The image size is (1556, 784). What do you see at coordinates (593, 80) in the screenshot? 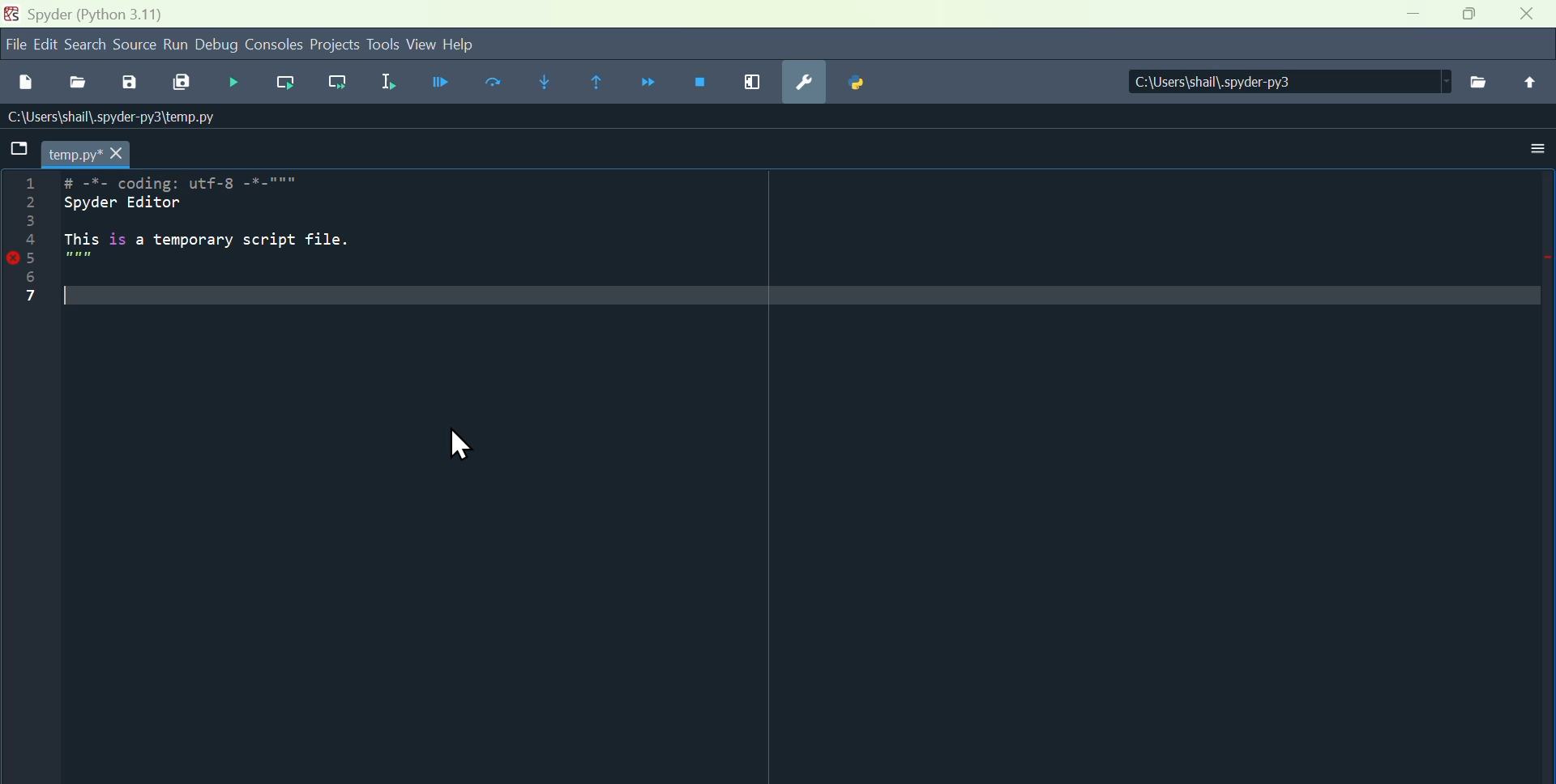
I see `Execute until same function returns` at bounding box center [593, 80].